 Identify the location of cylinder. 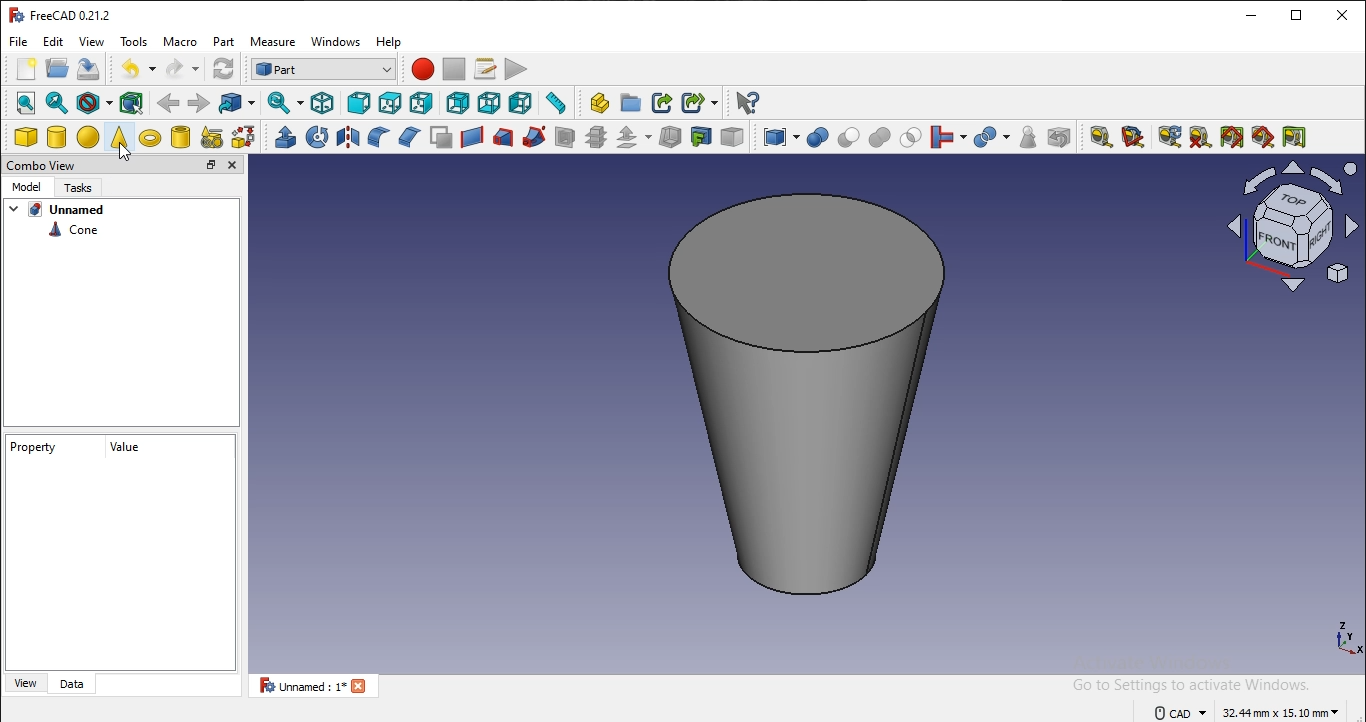
(57, 137).